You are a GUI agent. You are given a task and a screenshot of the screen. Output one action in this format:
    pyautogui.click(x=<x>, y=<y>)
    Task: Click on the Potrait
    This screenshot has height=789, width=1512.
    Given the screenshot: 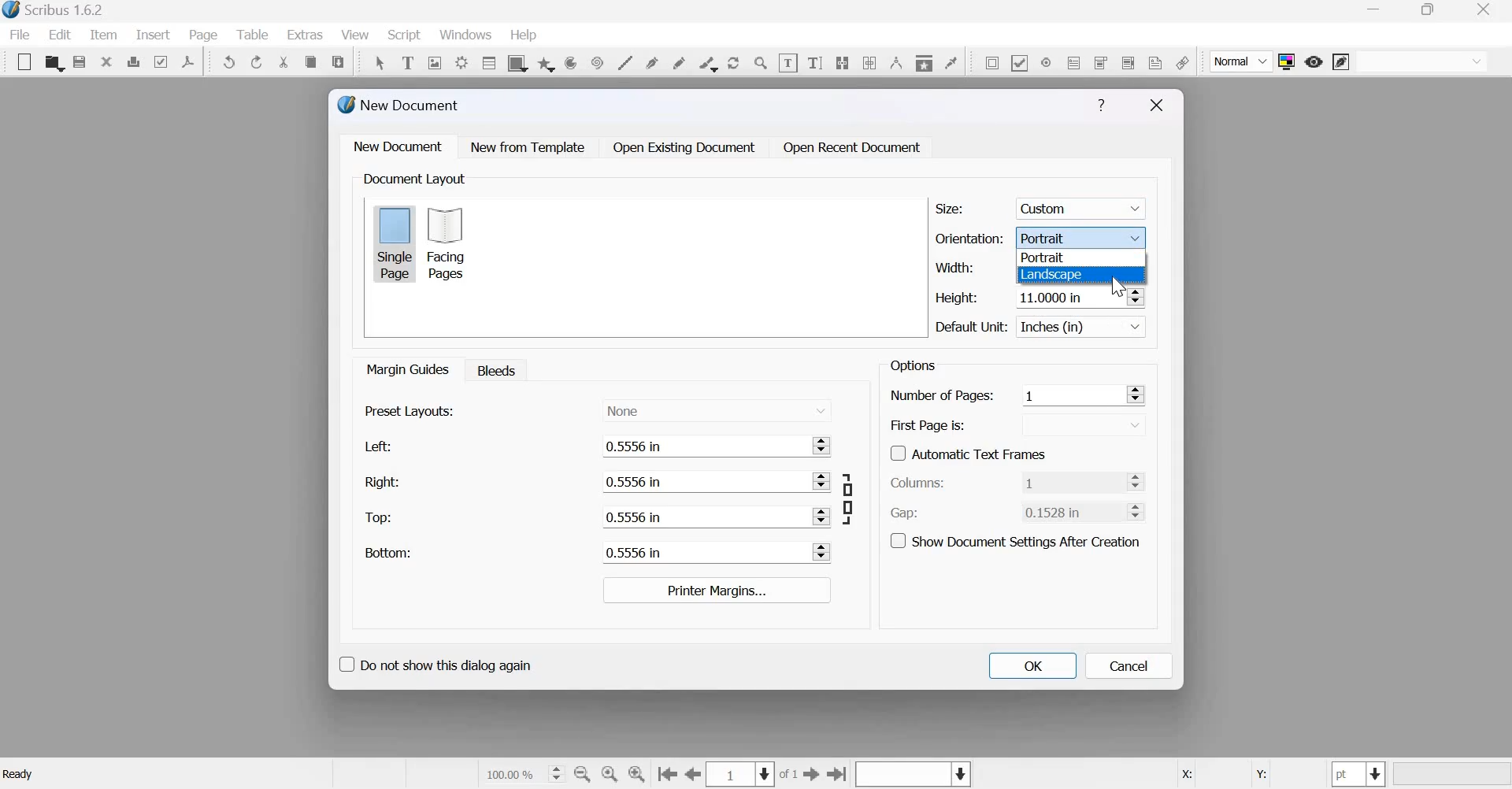 What is the action you would take?
    pyautogui.click(x=1045, y=257)
    